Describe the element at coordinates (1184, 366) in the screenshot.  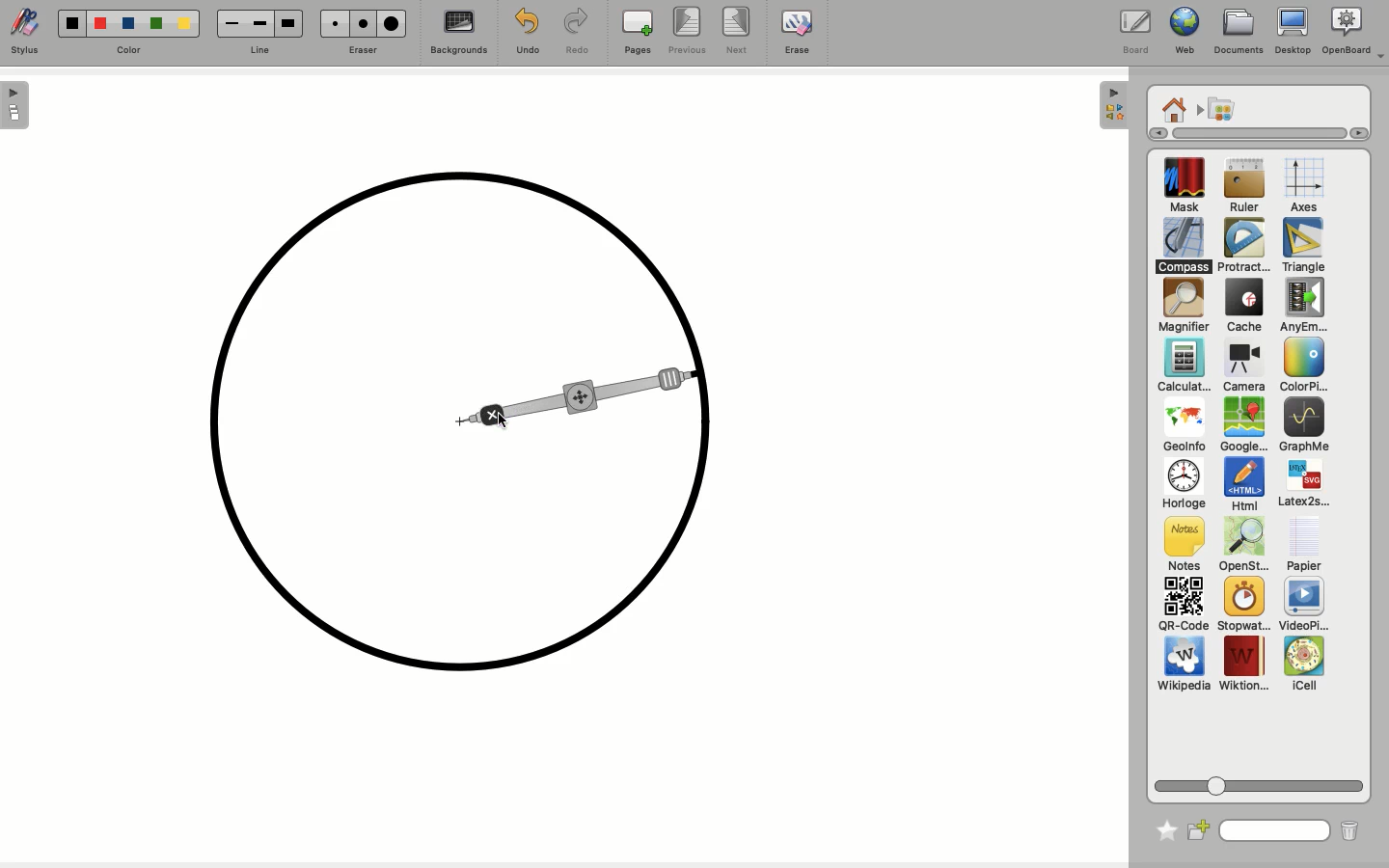
I see `Calculator` at that location.